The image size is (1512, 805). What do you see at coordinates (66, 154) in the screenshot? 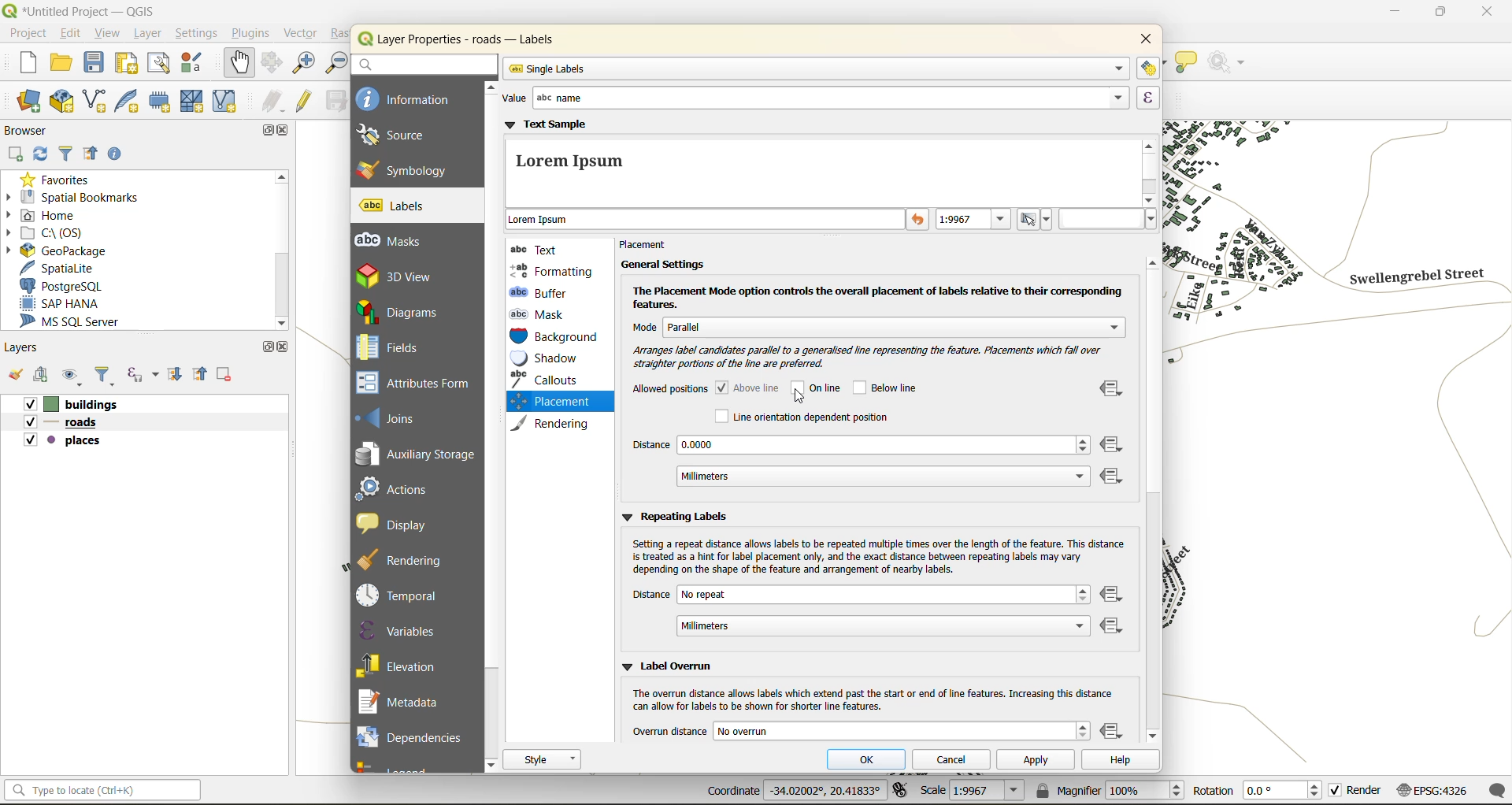
I see `filter` at bounding box center [66, 154].